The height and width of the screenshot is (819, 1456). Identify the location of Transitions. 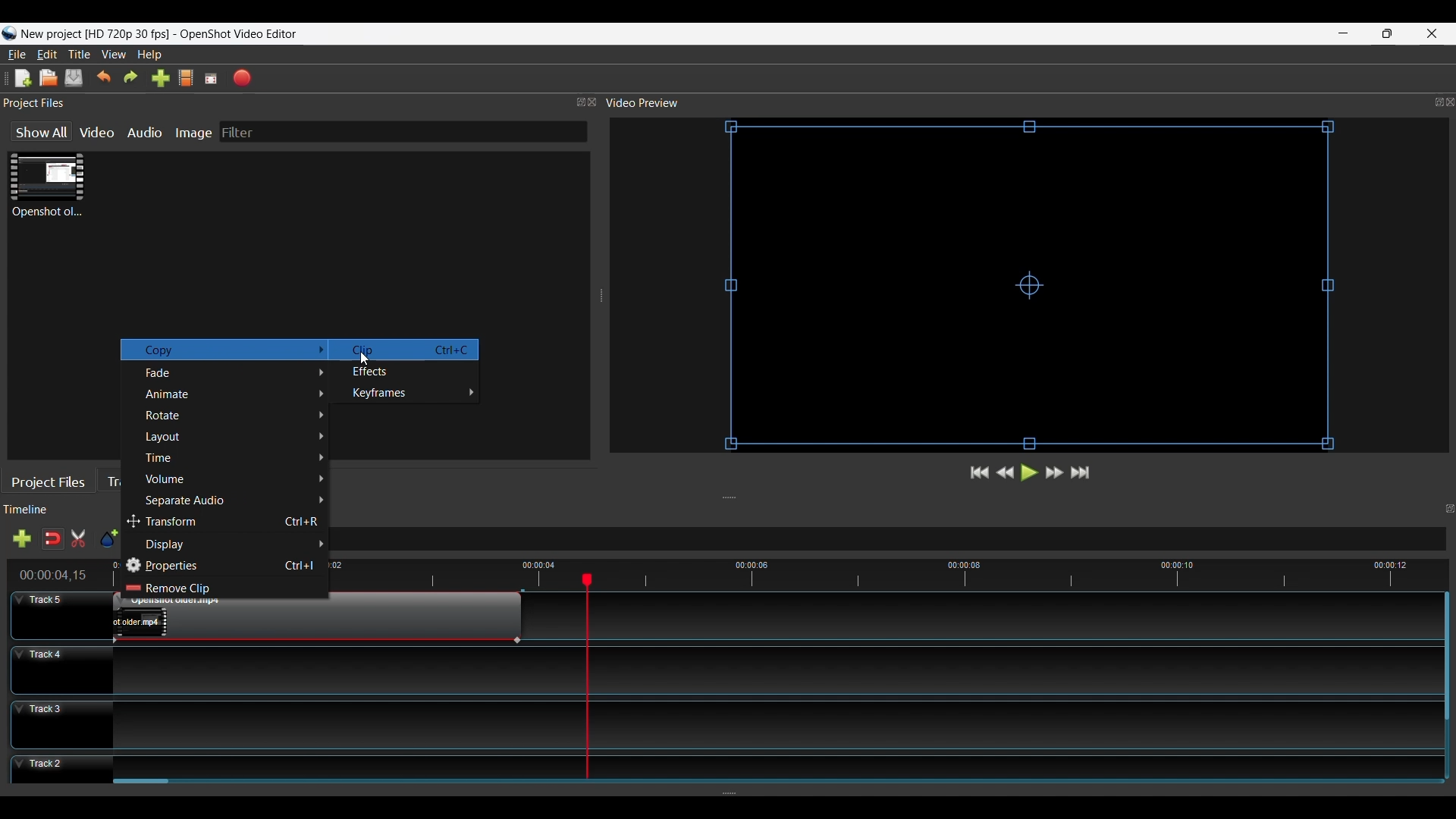
(119, 480).